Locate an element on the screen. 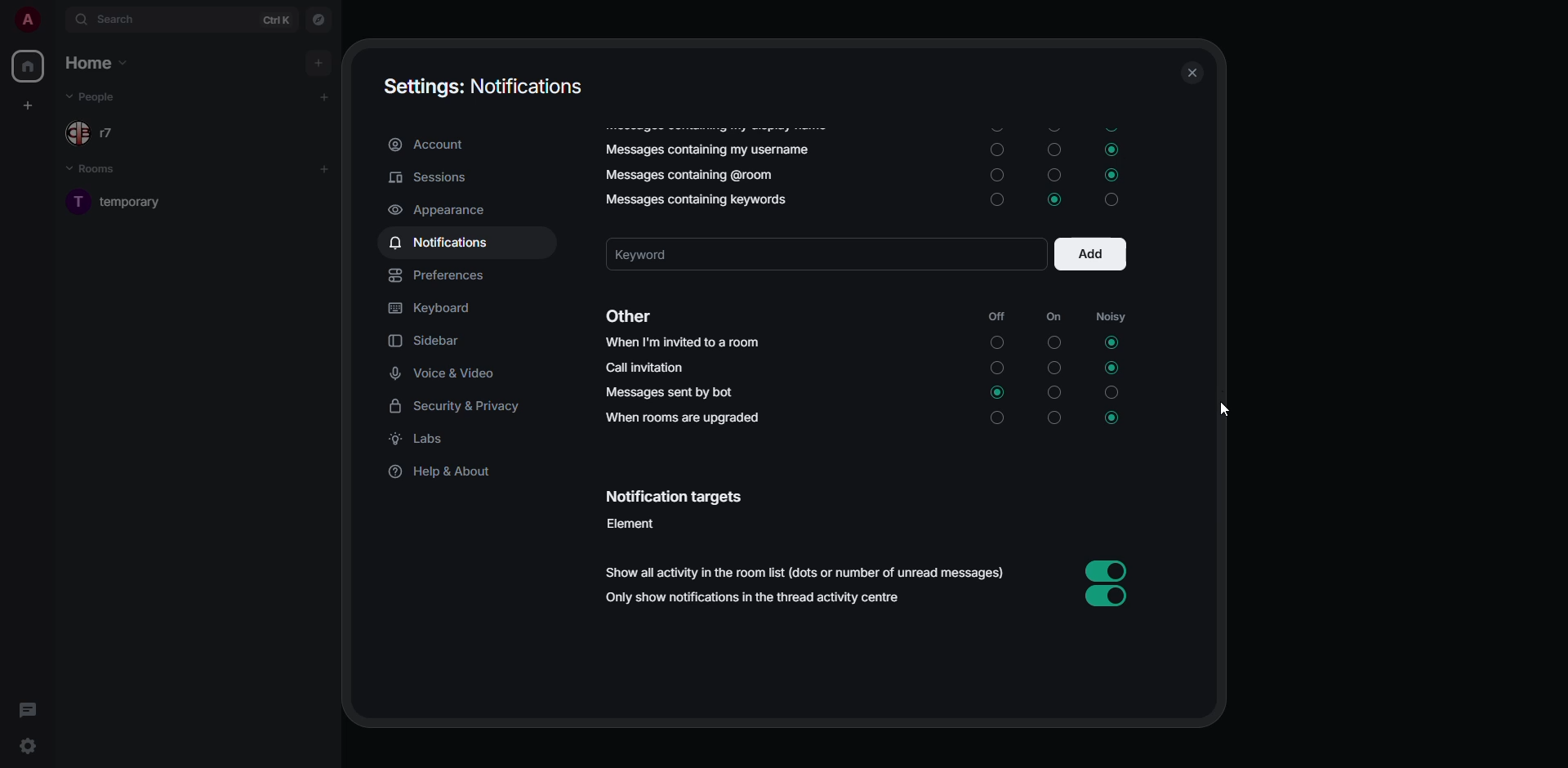 The height and width of the screenshot is (768, 1568). quick settings is located at coordinates (28, 747).